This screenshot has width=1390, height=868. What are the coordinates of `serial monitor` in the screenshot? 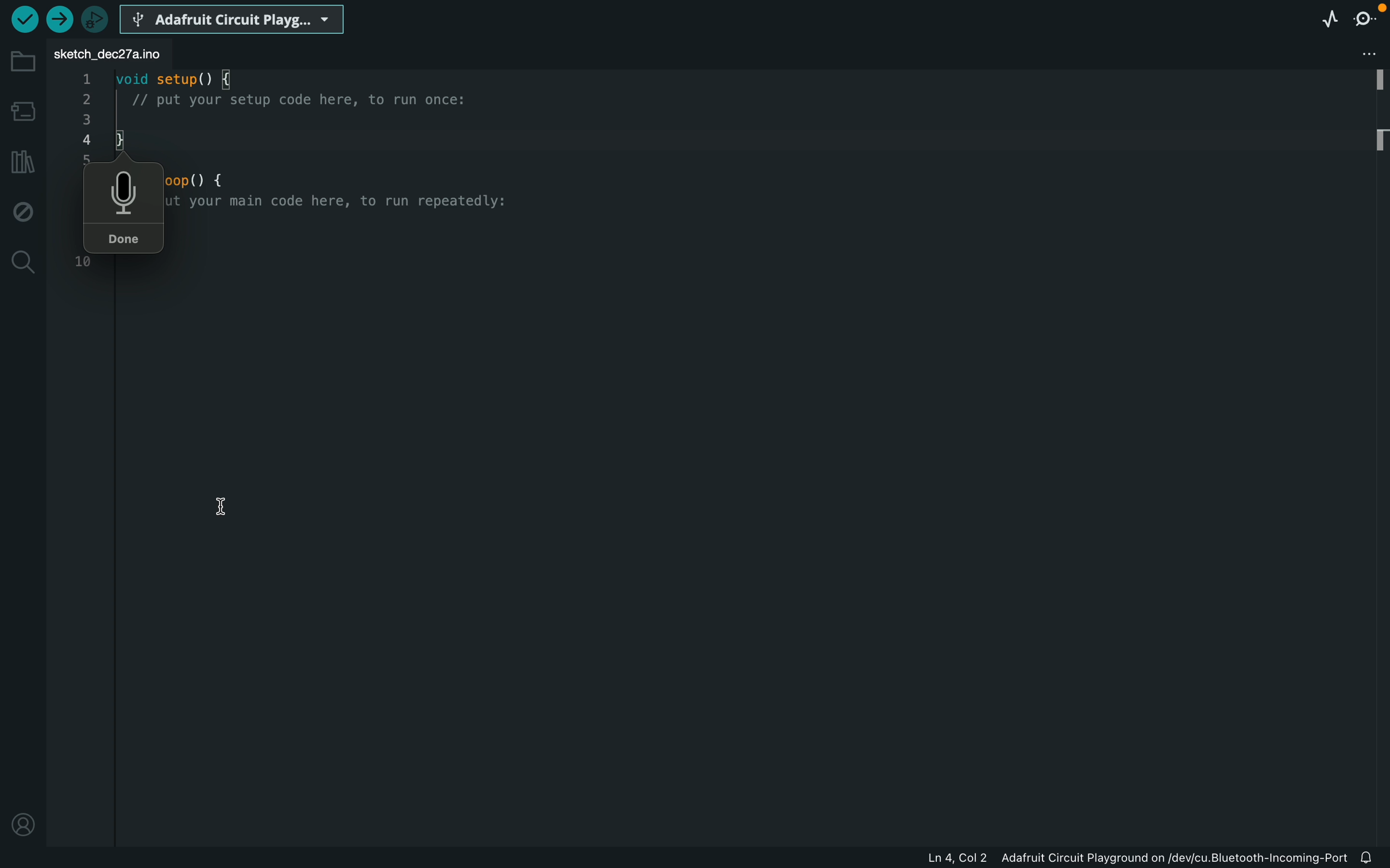 It's located at (1362, 15).